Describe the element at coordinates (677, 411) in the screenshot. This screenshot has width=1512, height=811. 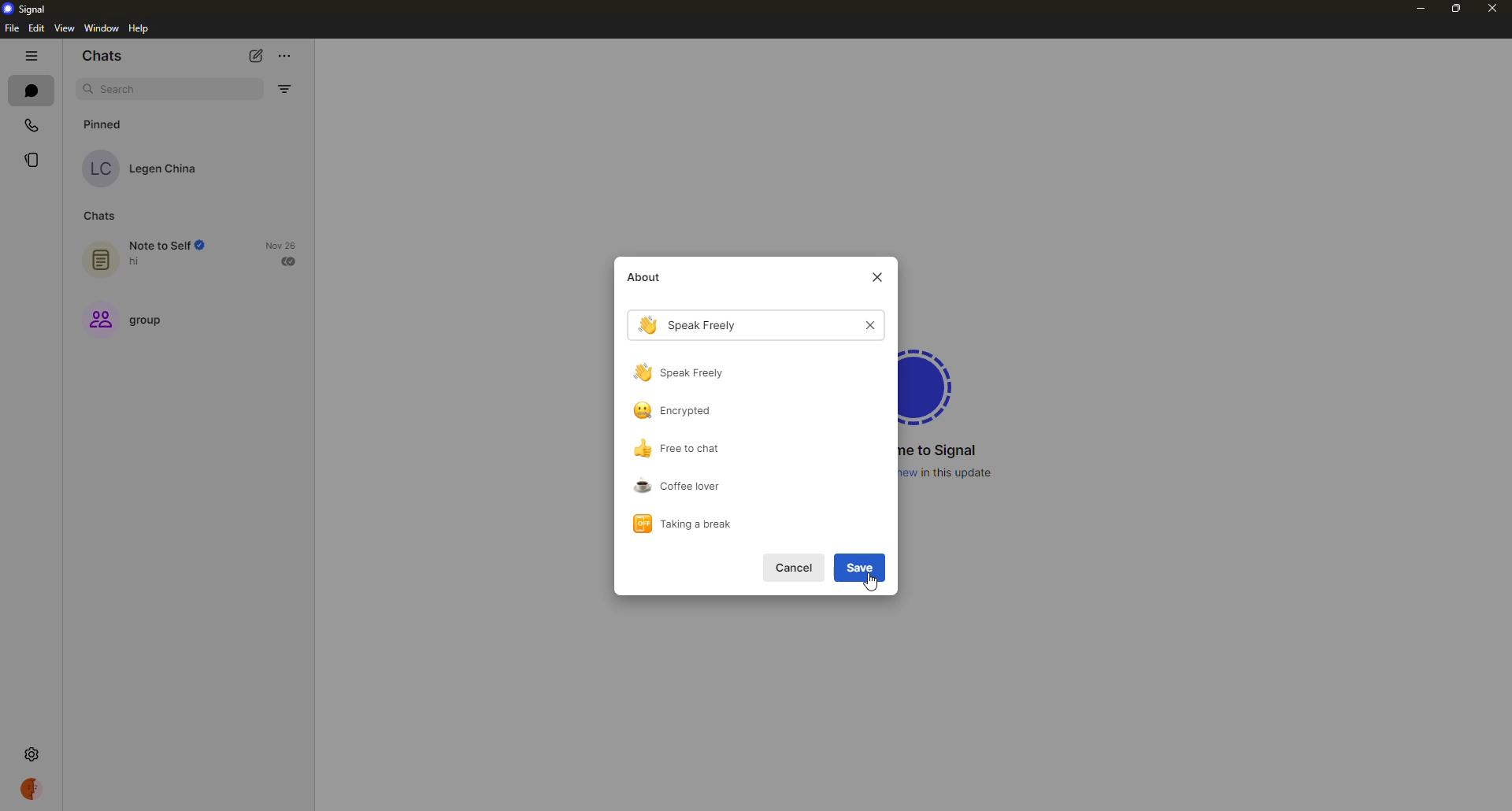
I see `encrypted` at that location.